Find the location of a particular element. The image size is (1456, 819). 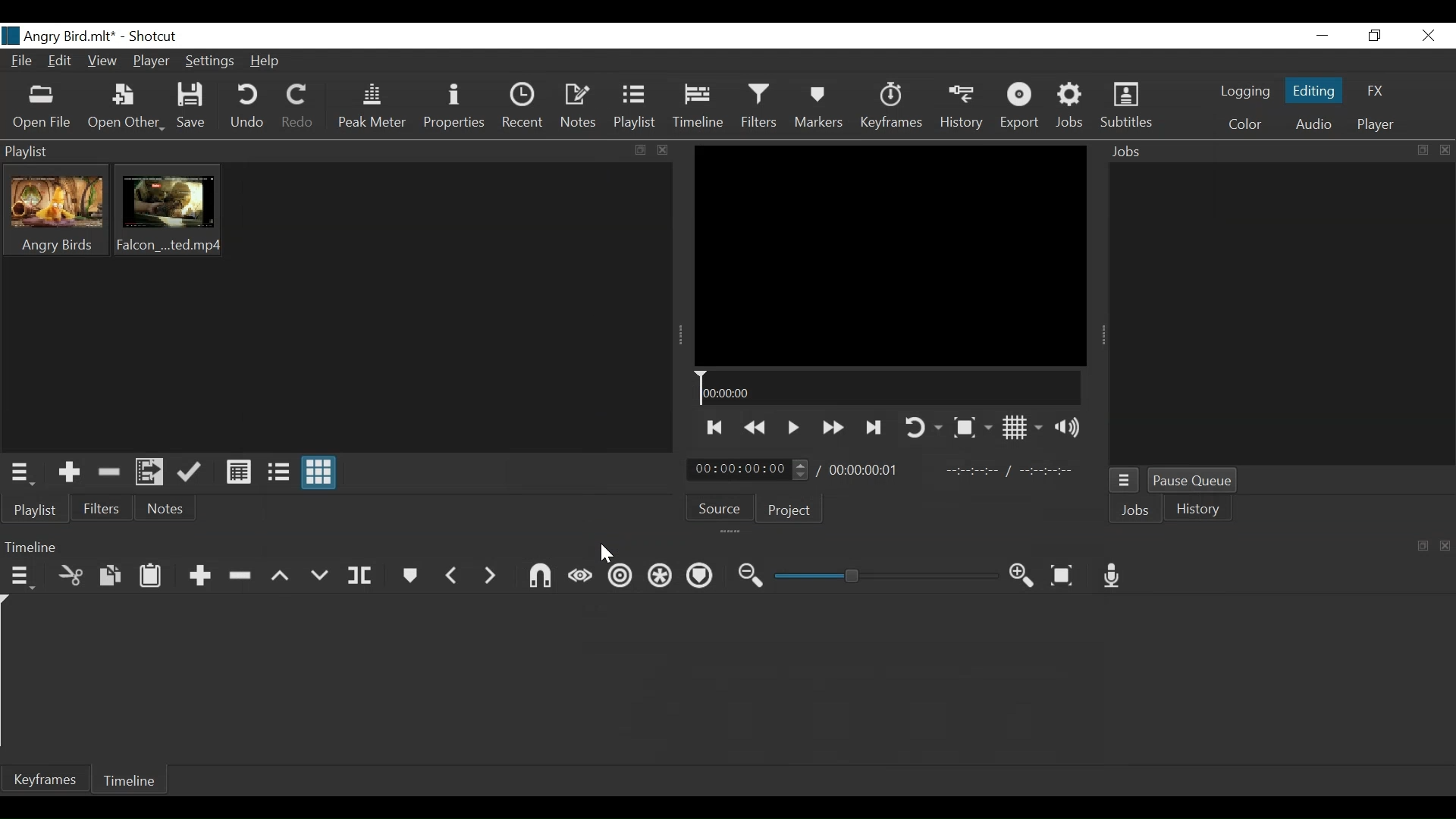

File name is located at coordinates (58, 36).